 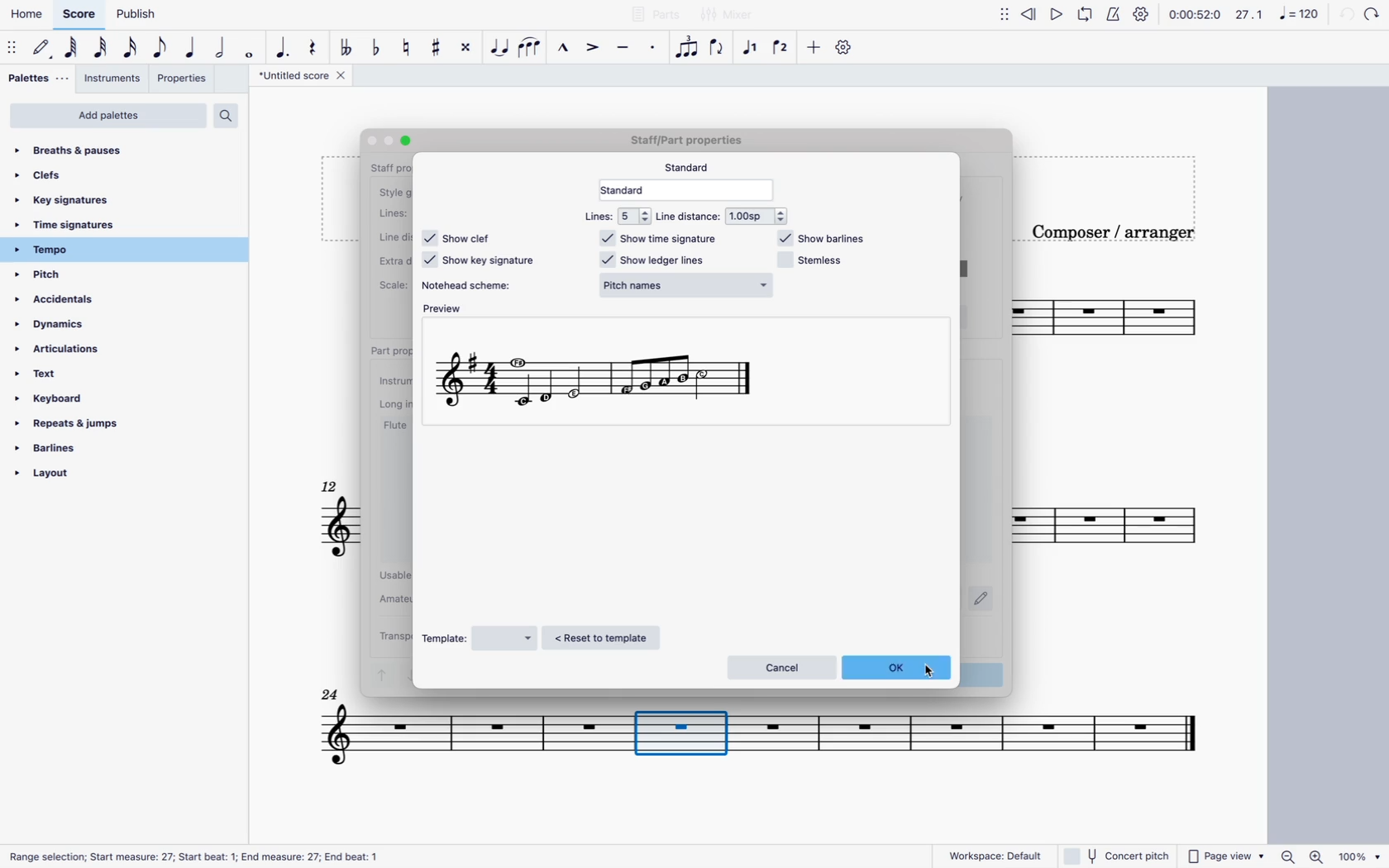 What do you see at coordinates (103, 448) in the screenshot?
I see `barlines` at bounding box center [103, 448].